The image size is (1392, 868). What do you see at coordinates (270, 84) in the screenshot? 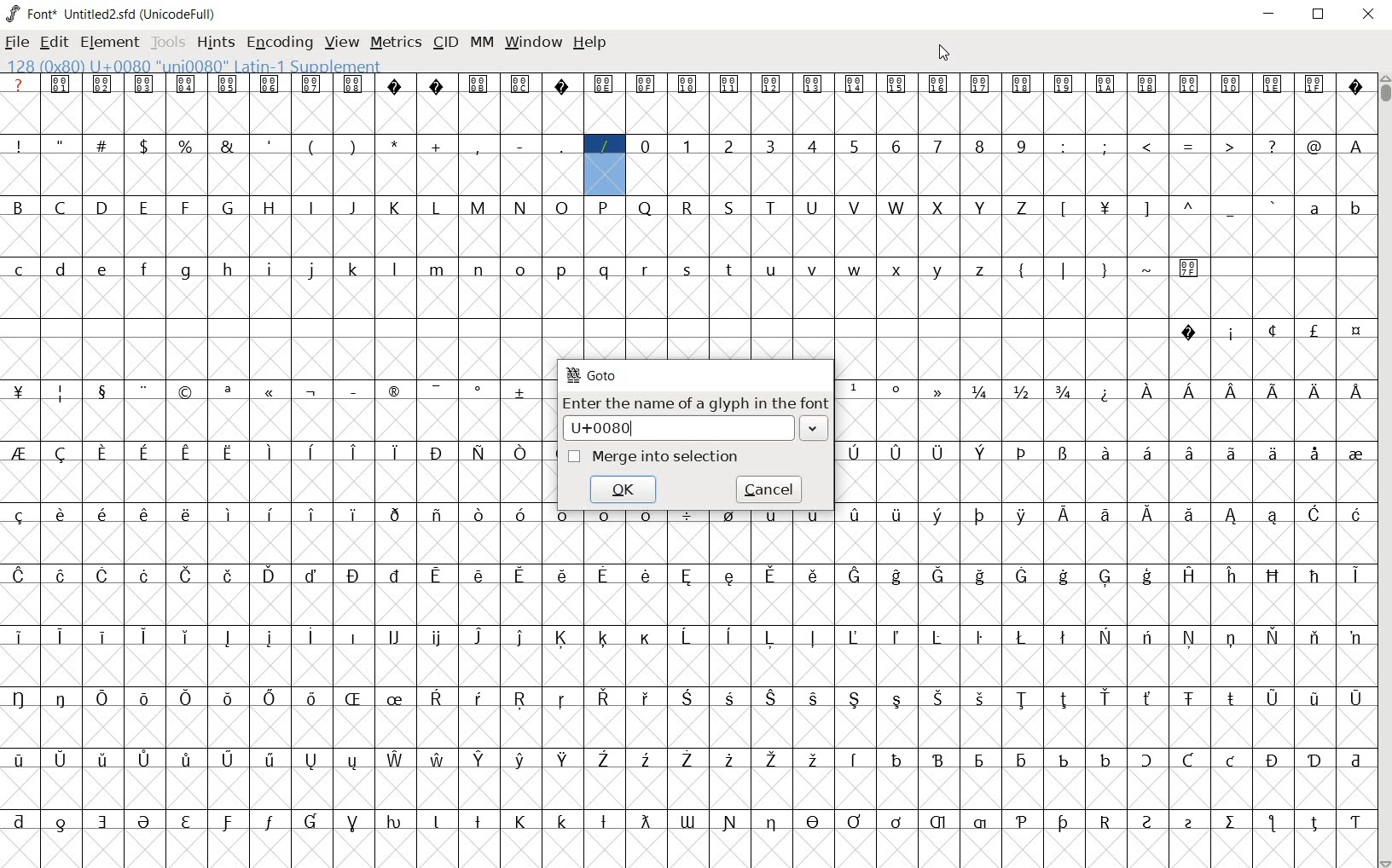
I see `glyph` at bounding box center [270, 84].